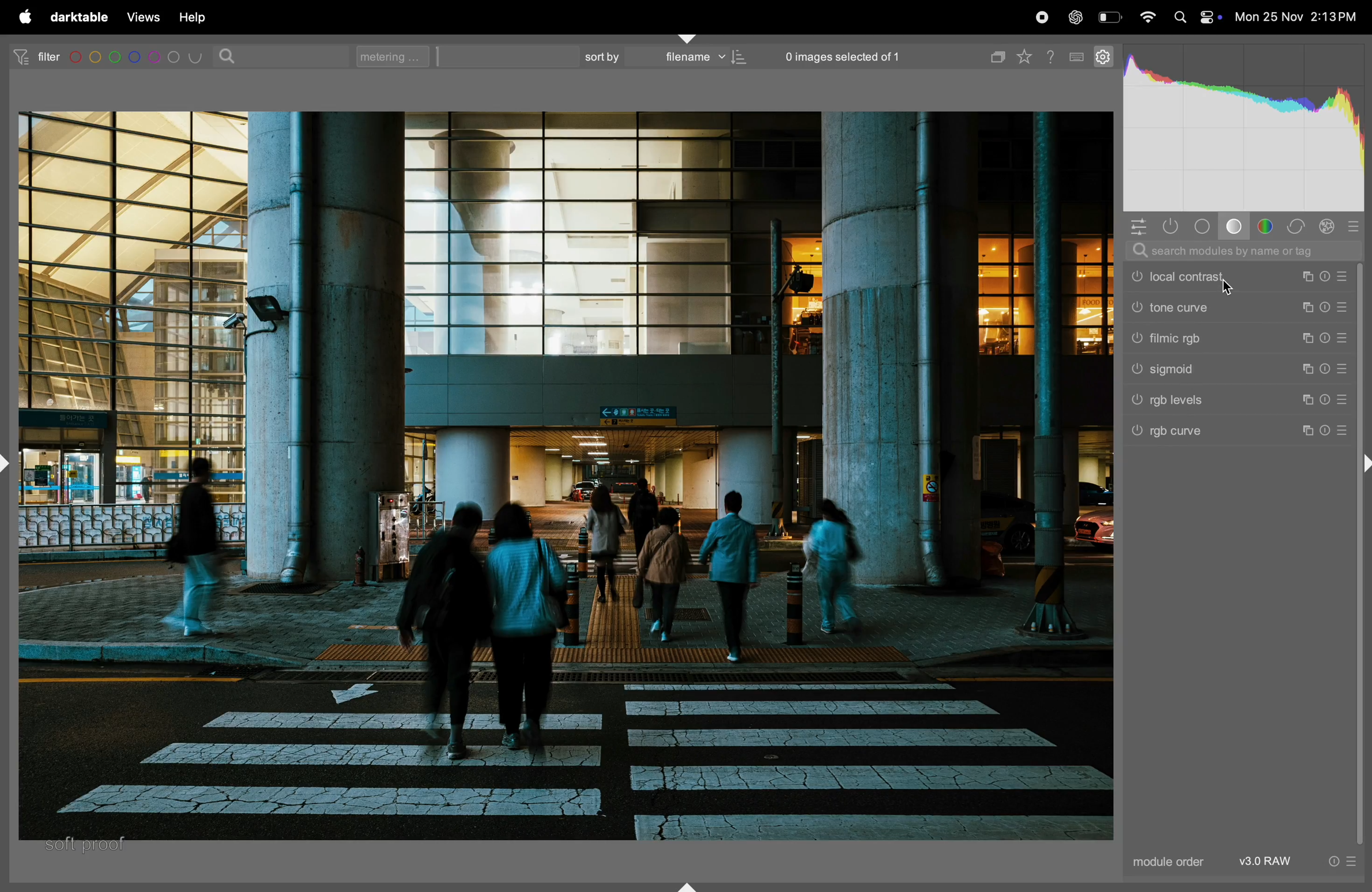 Image resolution: width=1372 pixels, height=892 pixels. Describe the element at coordinates (1327, 225) in the screenshot. I see `effect` at that location.